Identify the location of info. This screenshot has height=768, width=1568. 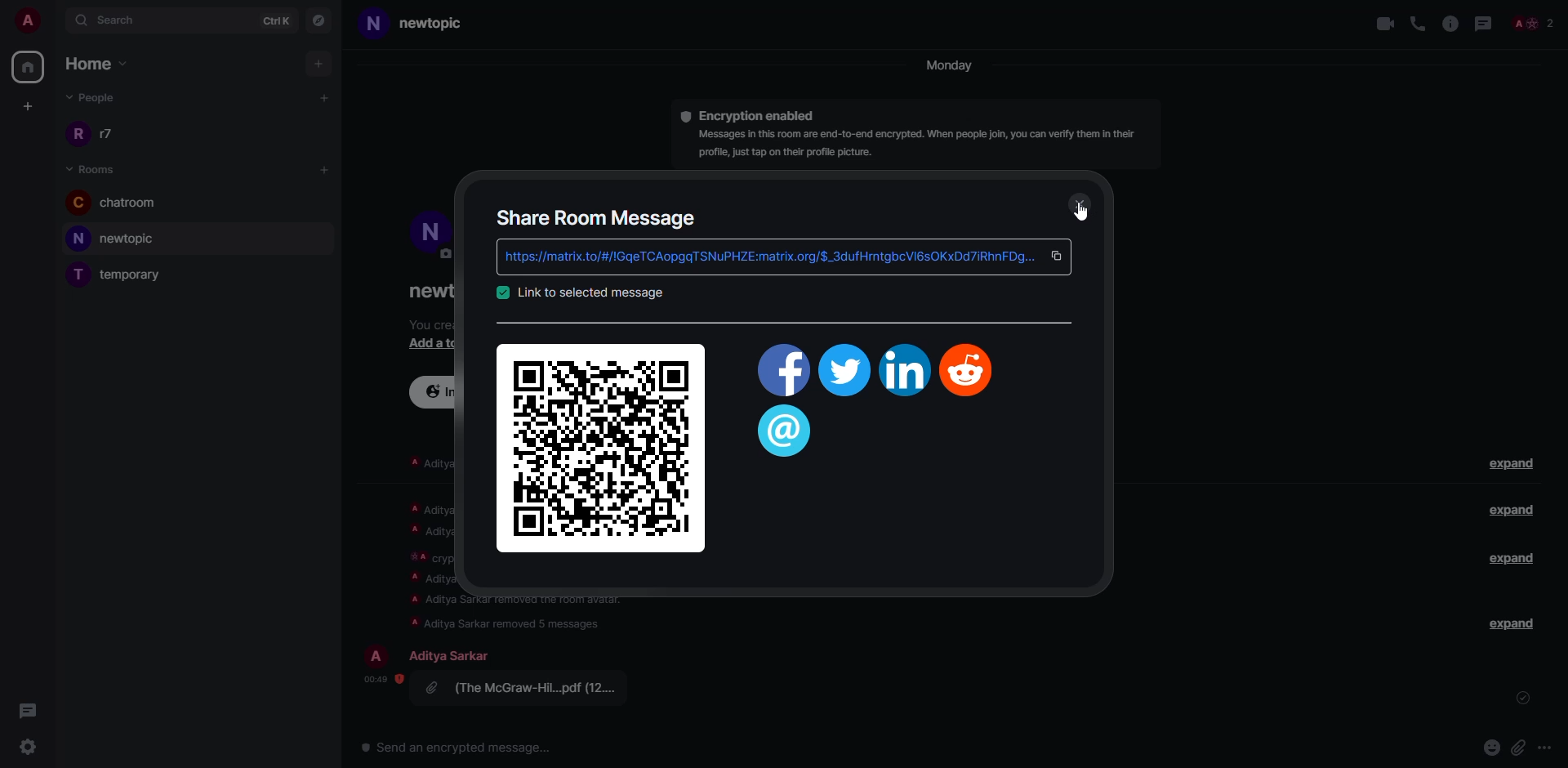
(1450, 23).